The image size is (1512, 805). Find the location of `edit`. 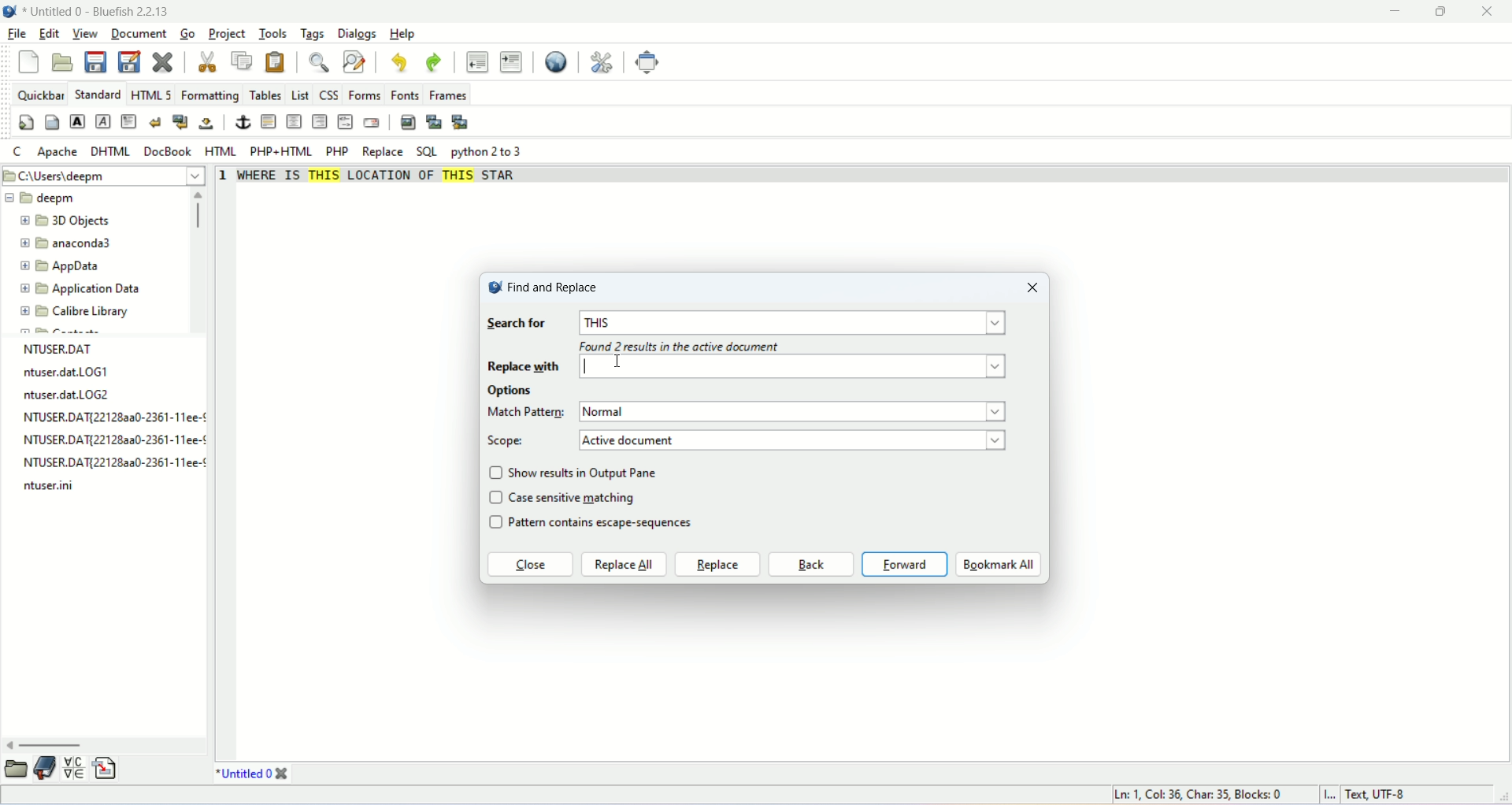

edit is located at coordinates (48, 35).